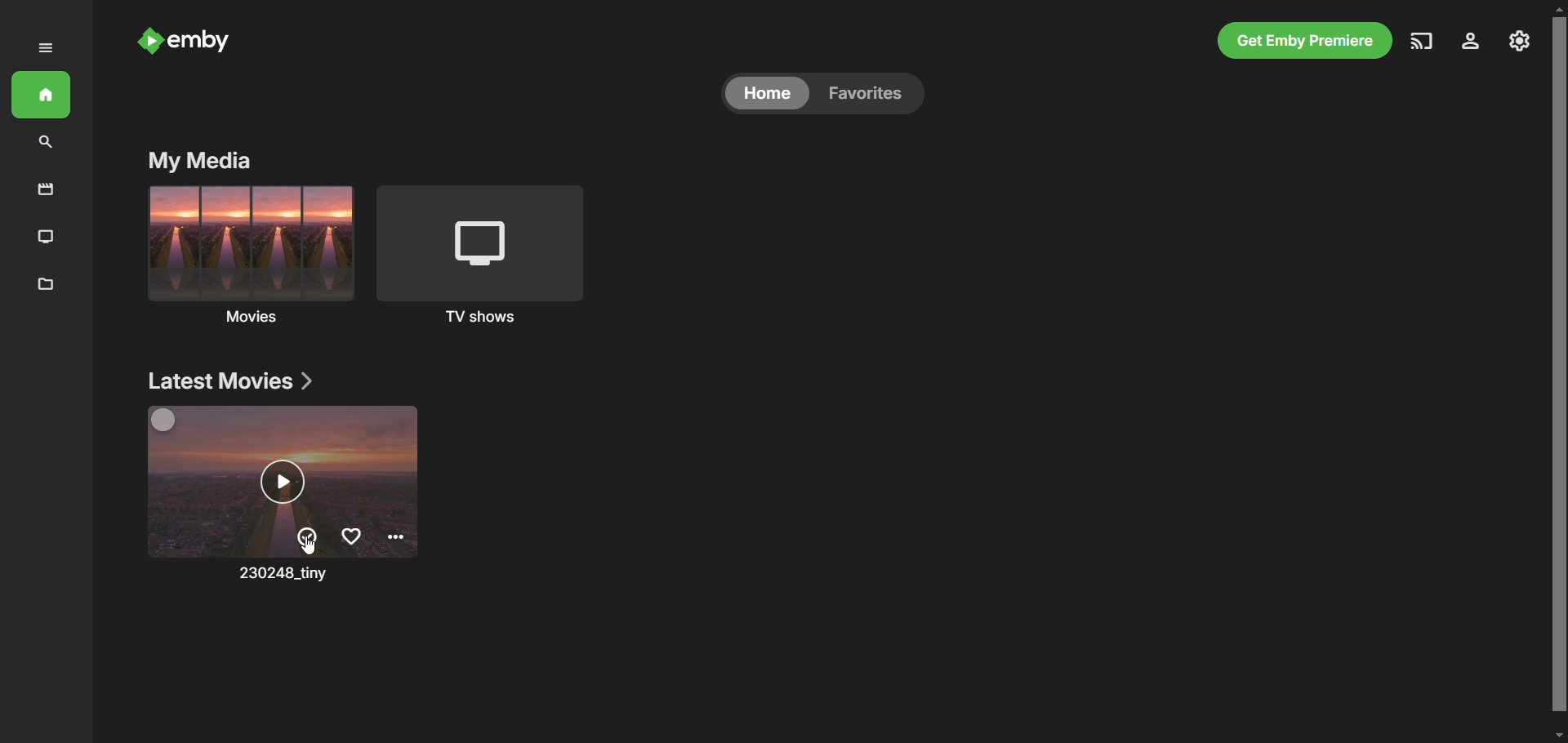 The image size is (1568, 743). I want to click on get emby premier, so click(1303, 40).